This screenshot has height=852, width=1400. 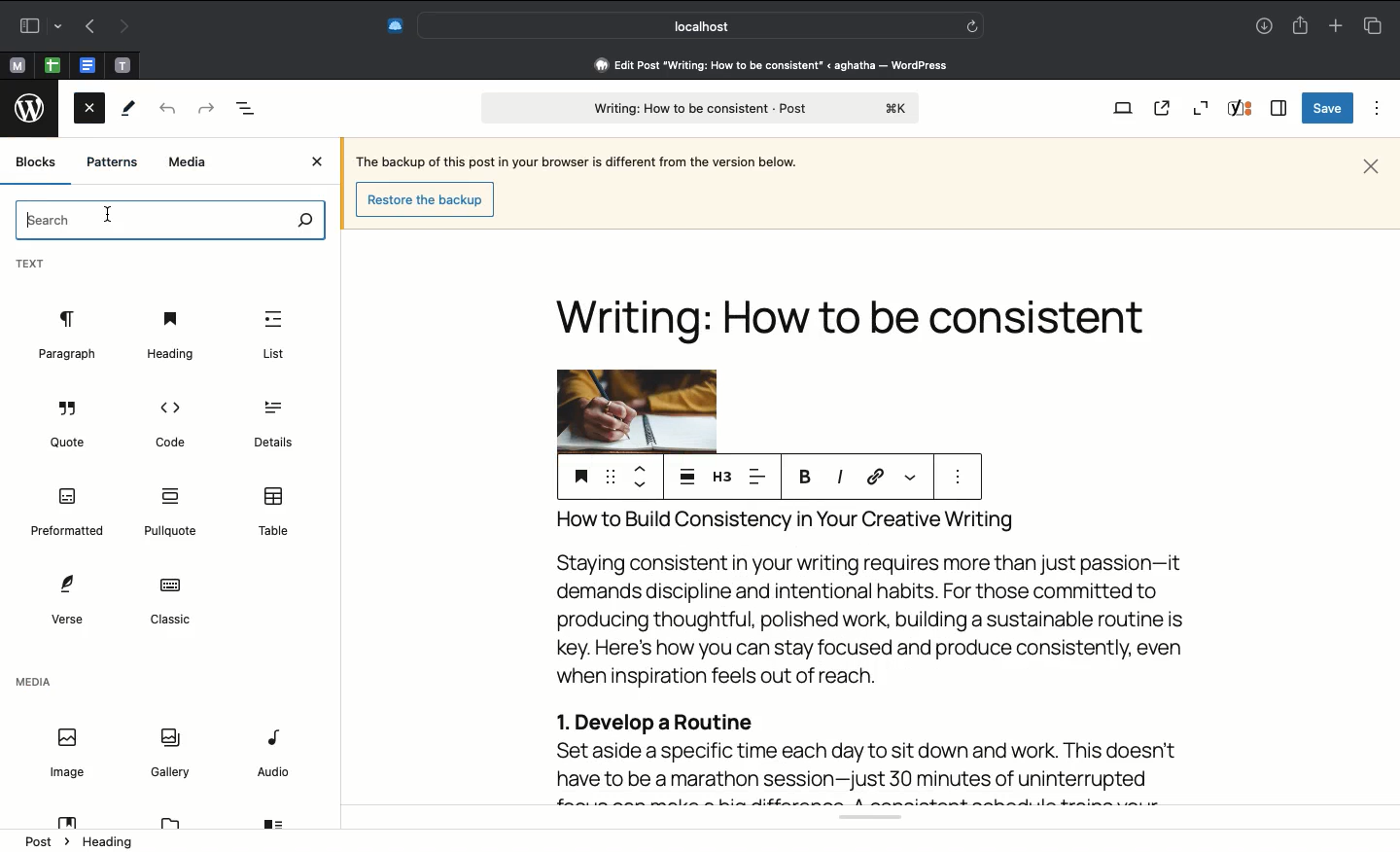 What do you see at coordinates (635, 410) in the screenshot?
I see `Image` at bounding box center [635, 410].